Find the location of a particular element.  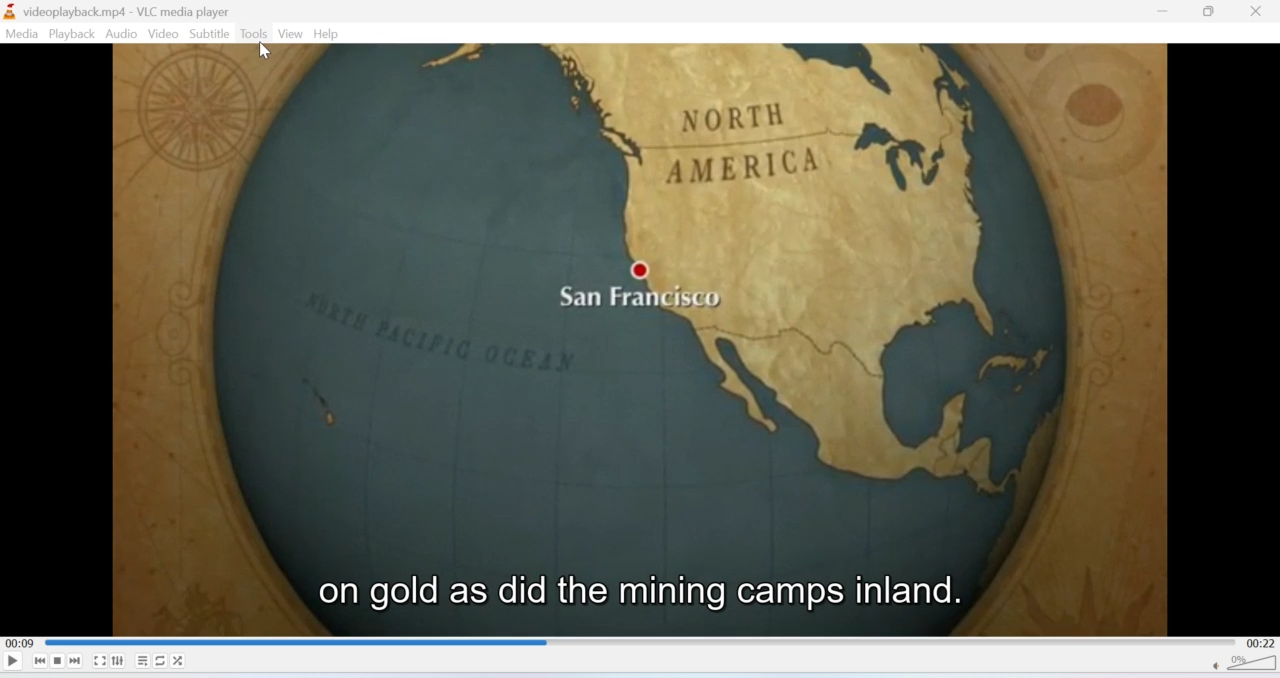

Tools is located at coordinates (254, 34).